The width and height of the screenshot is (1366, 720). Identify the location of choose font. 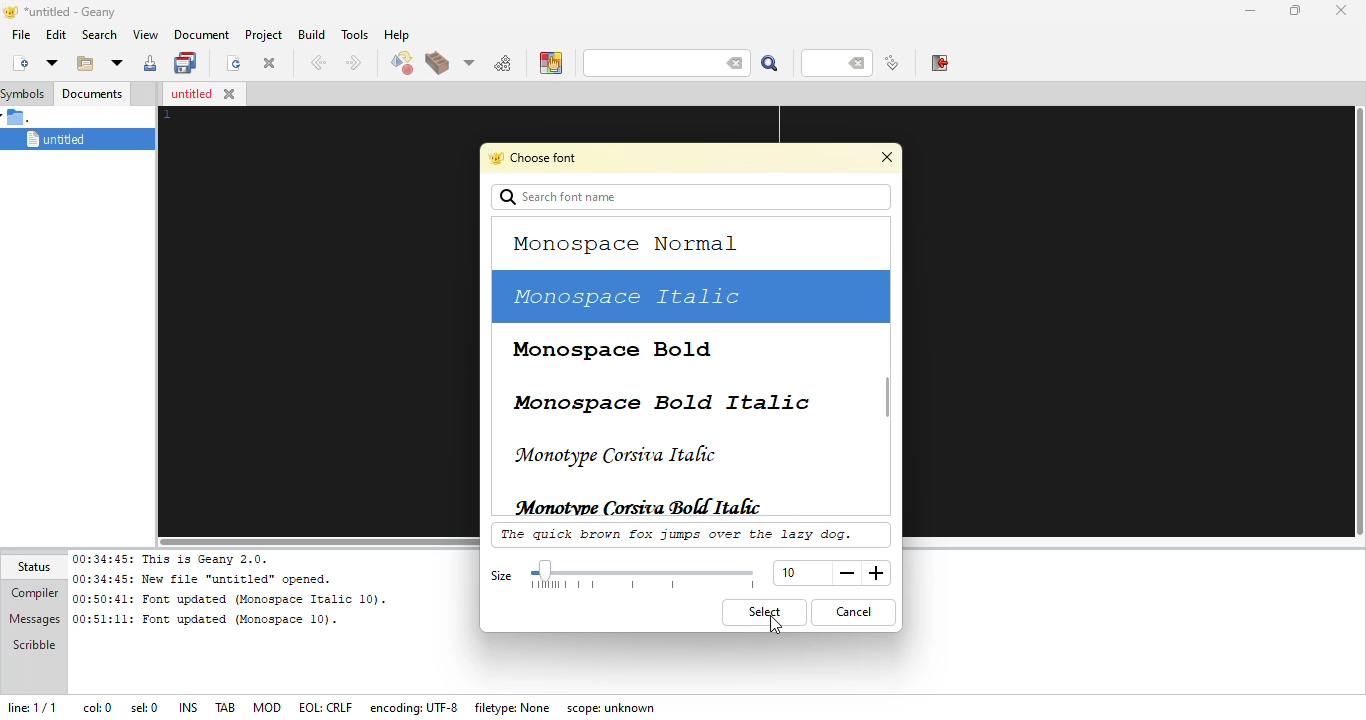
(534, 158).